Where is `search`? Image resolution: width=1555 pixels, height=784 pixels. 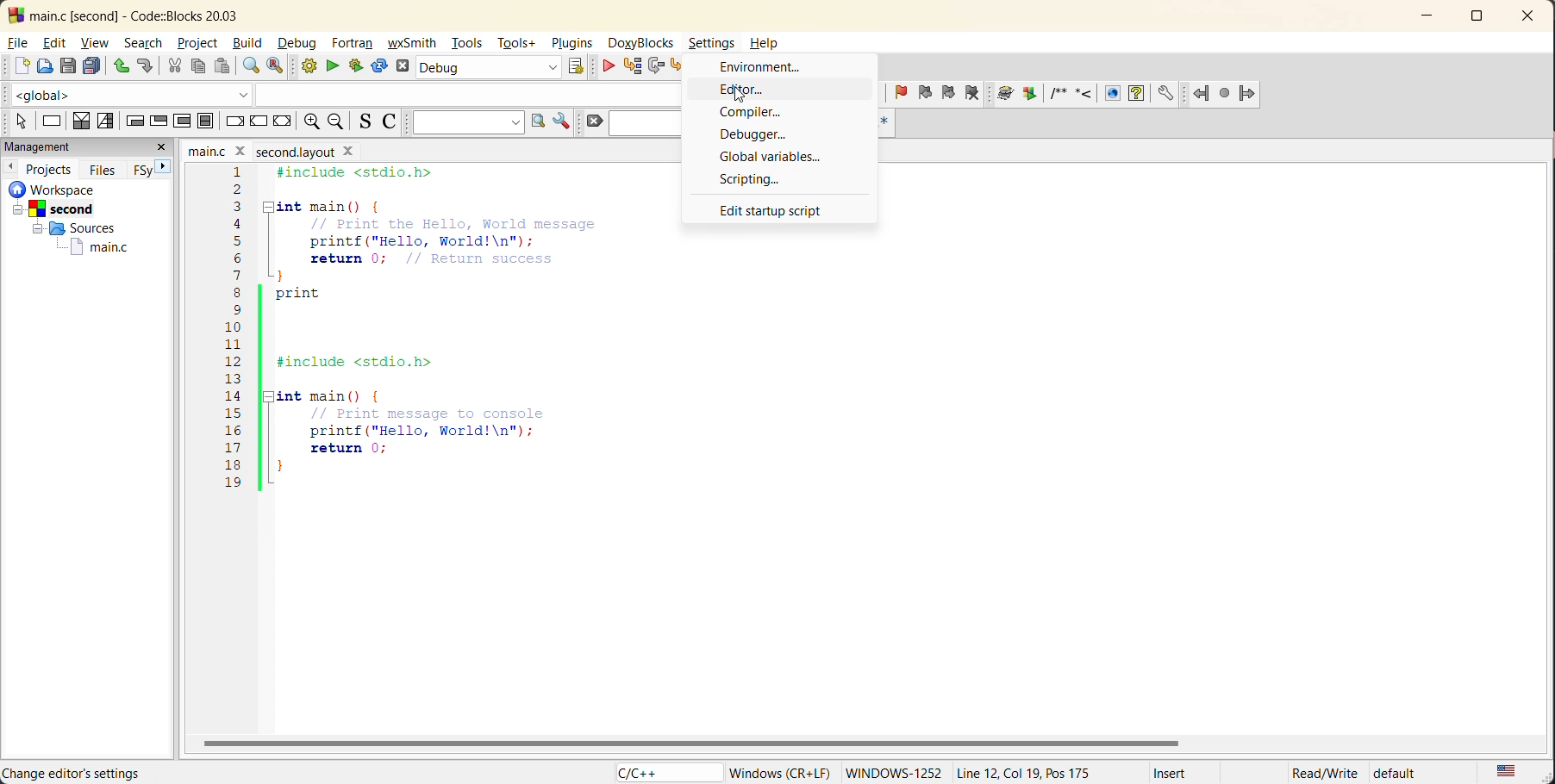 search is located at coordinates (644, 122).